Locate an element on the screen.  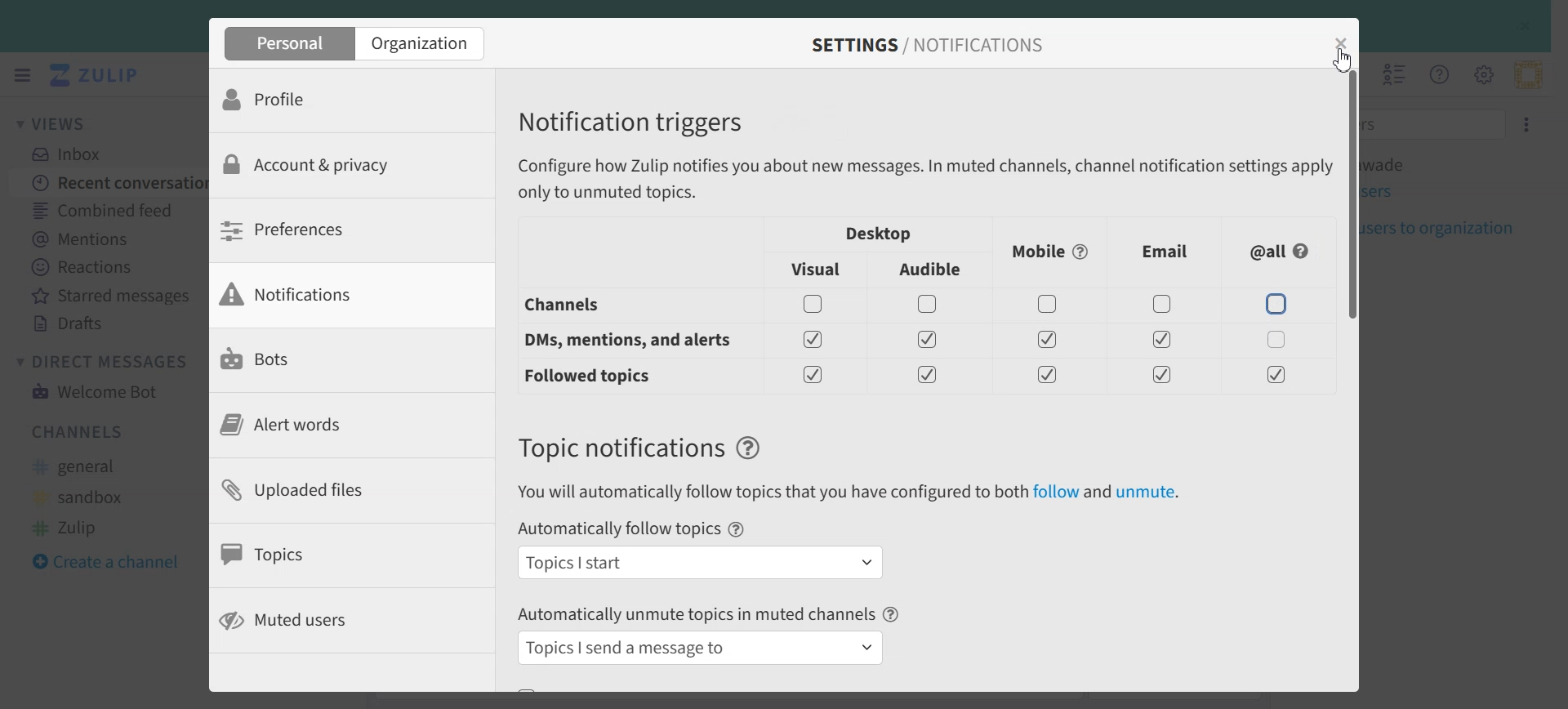
Starred messages is located at coordinates (109, 295).